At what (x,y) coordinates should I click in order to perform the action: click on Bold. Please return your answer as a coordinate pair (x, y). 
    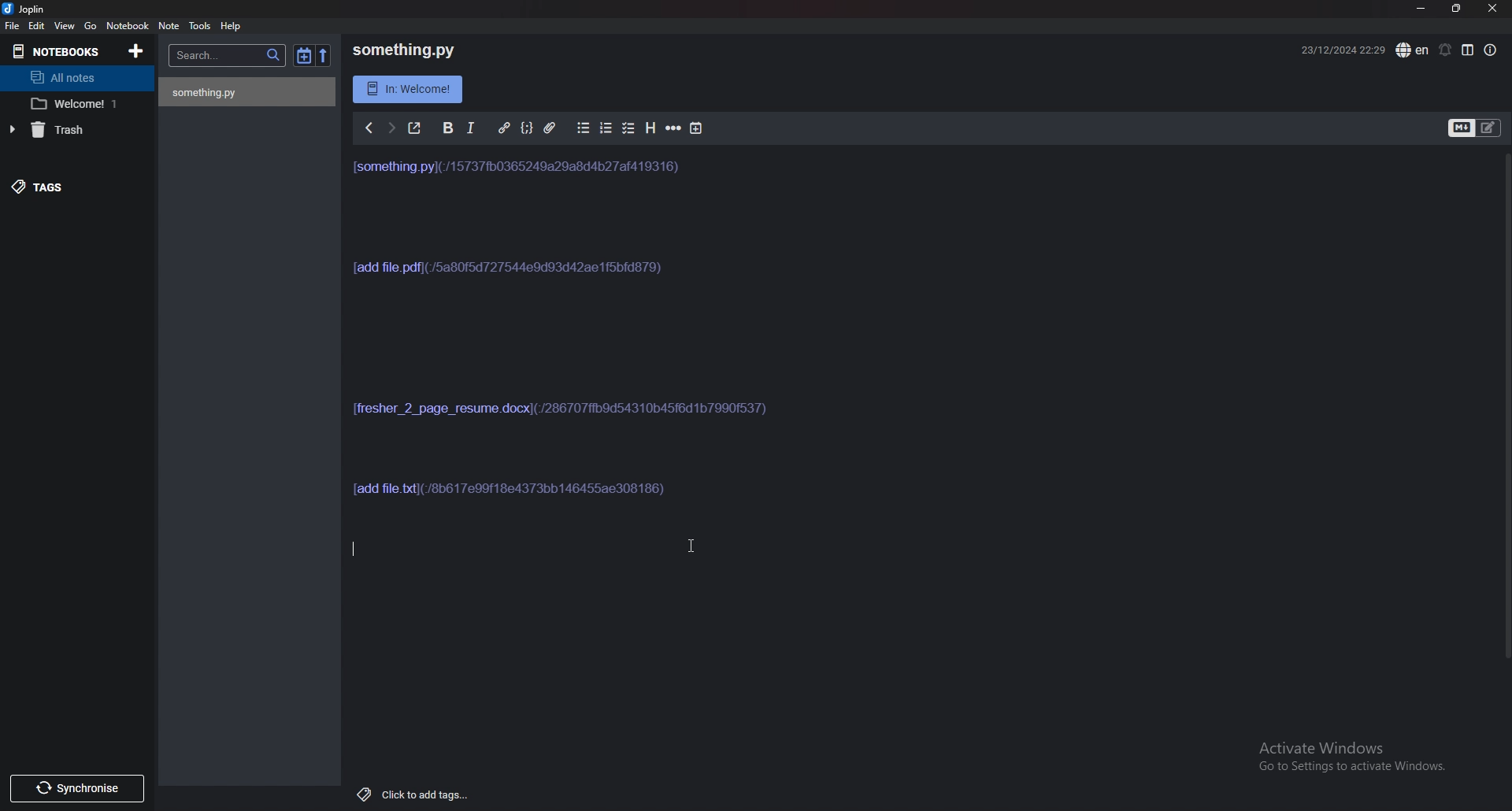
    Looking at the image, I should click on (447, 128).